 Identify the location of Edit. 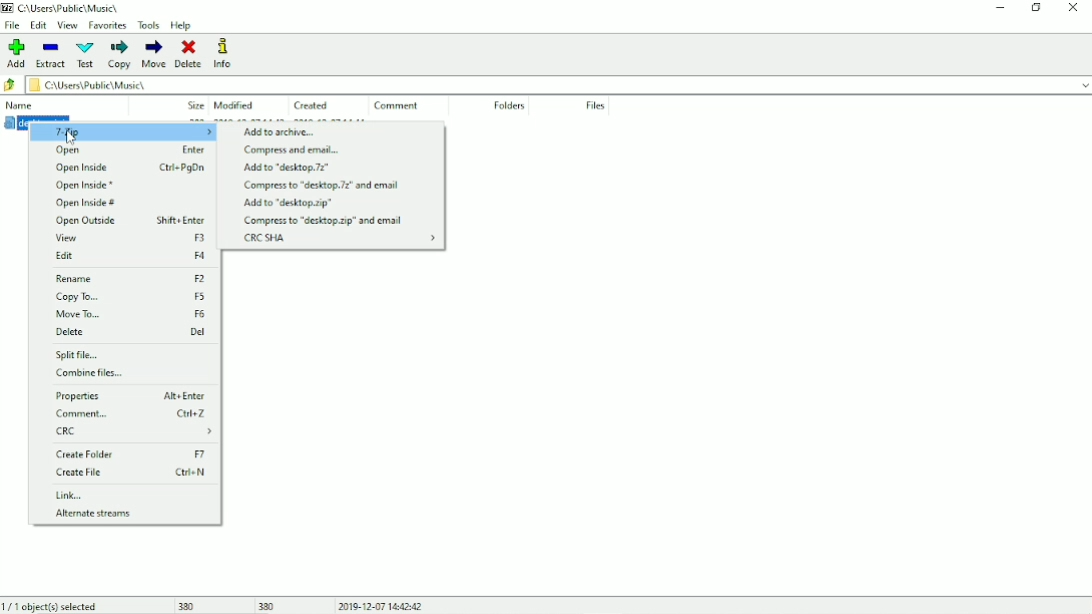
(129, 256).